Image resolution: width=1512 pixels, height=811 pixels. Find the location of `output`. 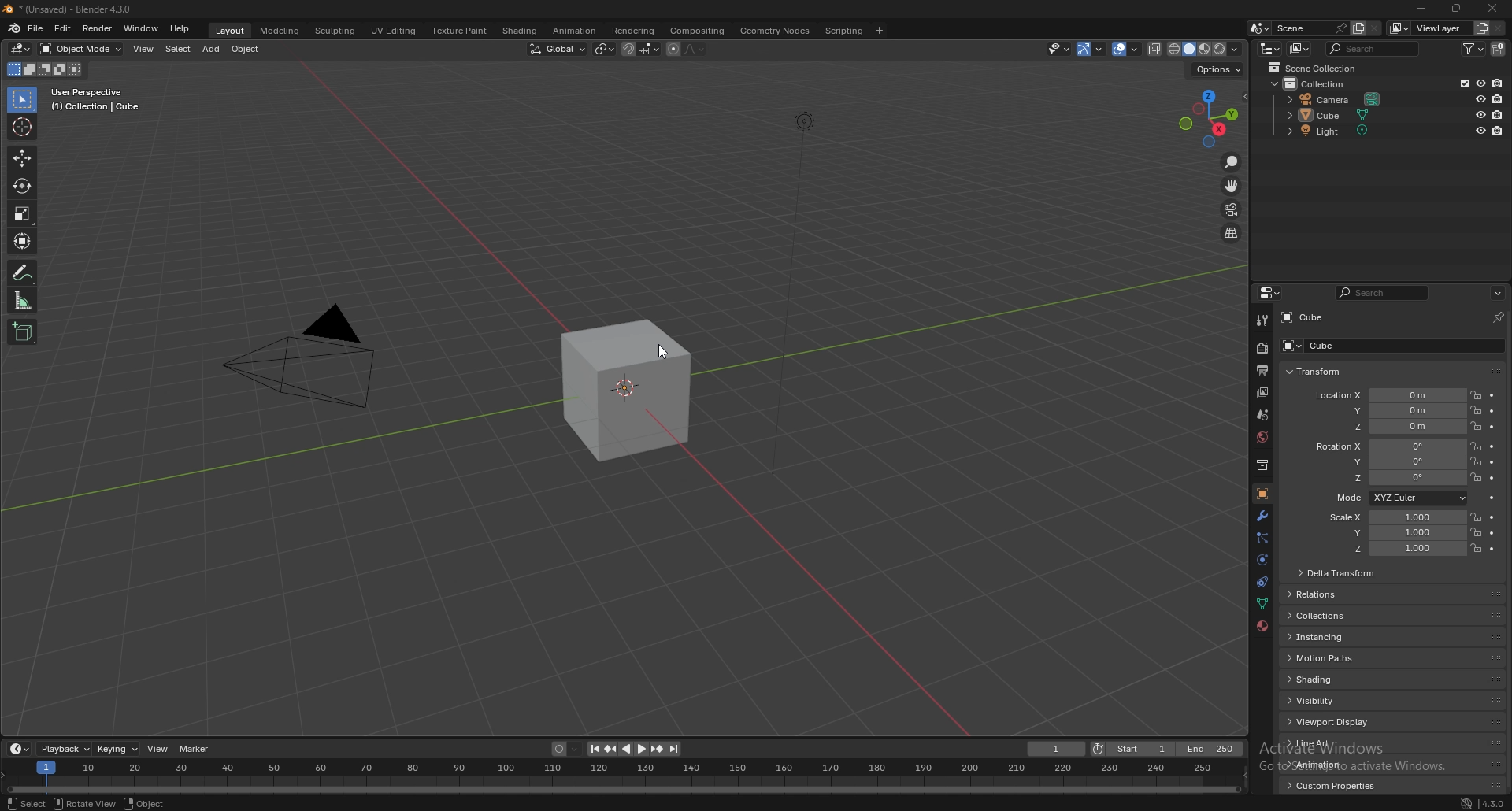

output is located at coordinates (1259, 371).